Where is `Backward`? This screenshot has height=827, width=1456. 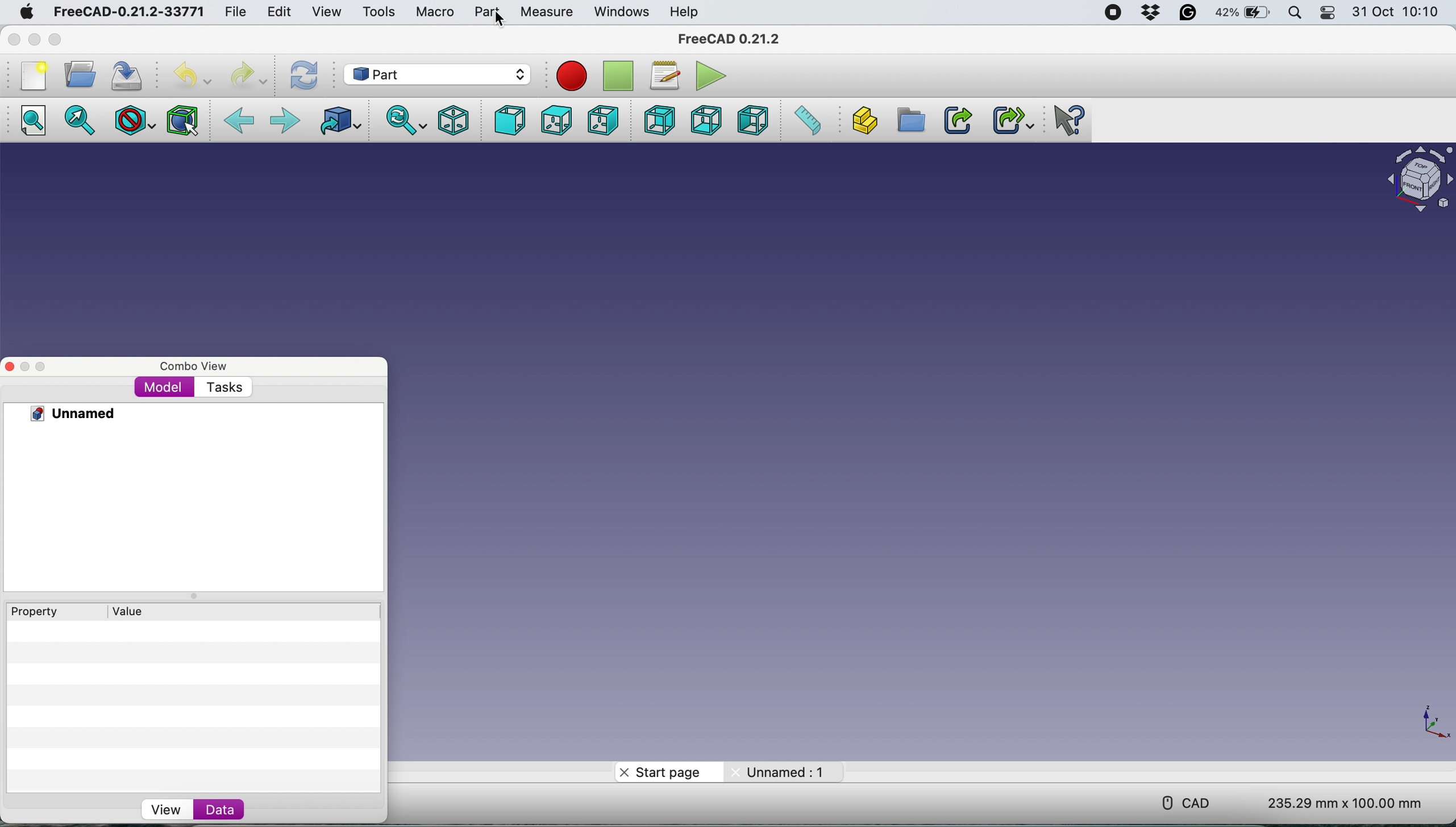 Backward is located at coordinates (240, 119).